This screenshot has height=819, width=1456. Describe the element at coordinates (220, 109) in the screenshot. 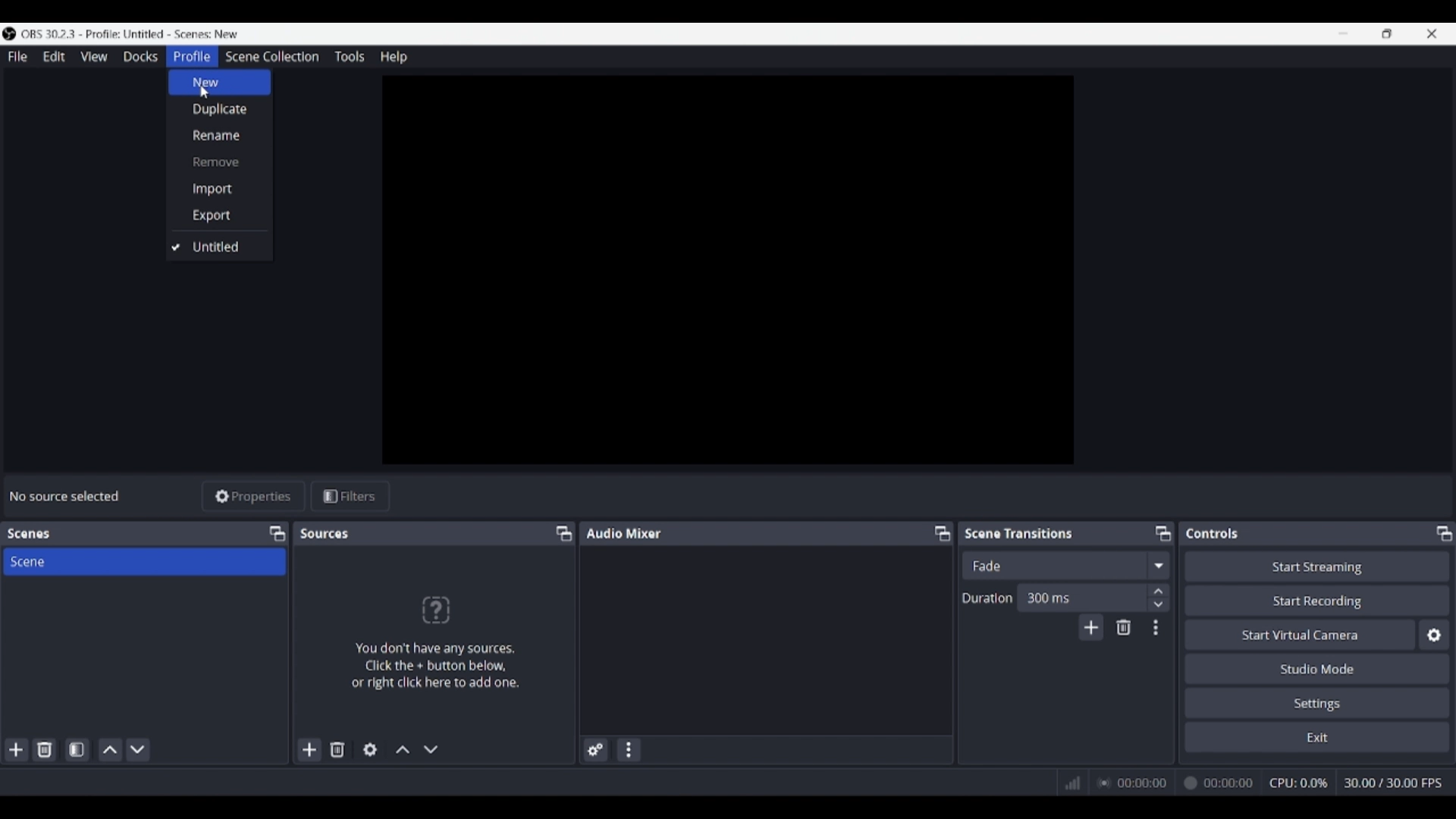

I see `Duplicate` at that location.